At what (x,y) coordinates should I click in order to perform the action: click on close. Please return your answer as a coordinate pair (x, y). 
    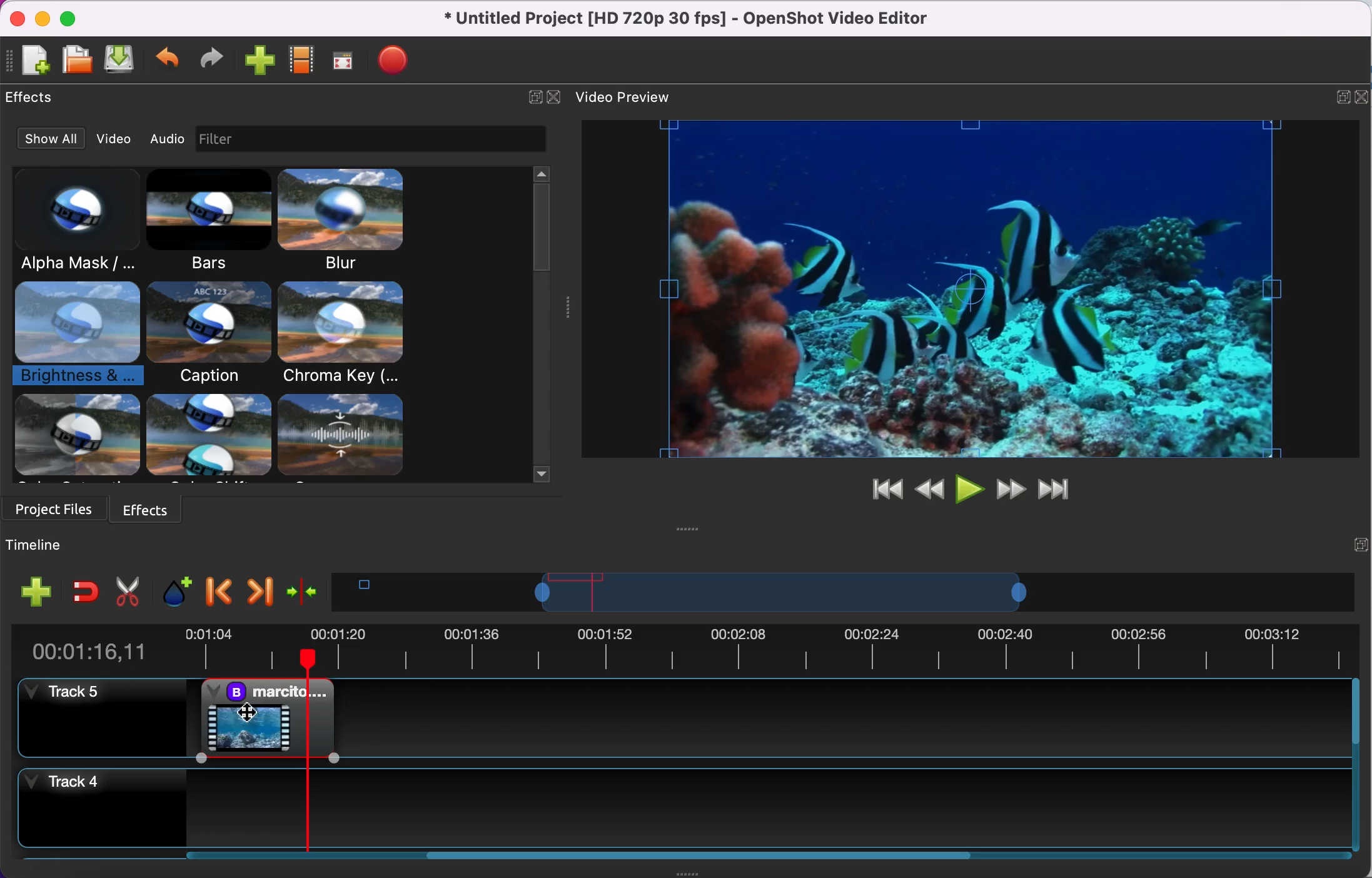
    Looking at the image, I should click on (555, 96).